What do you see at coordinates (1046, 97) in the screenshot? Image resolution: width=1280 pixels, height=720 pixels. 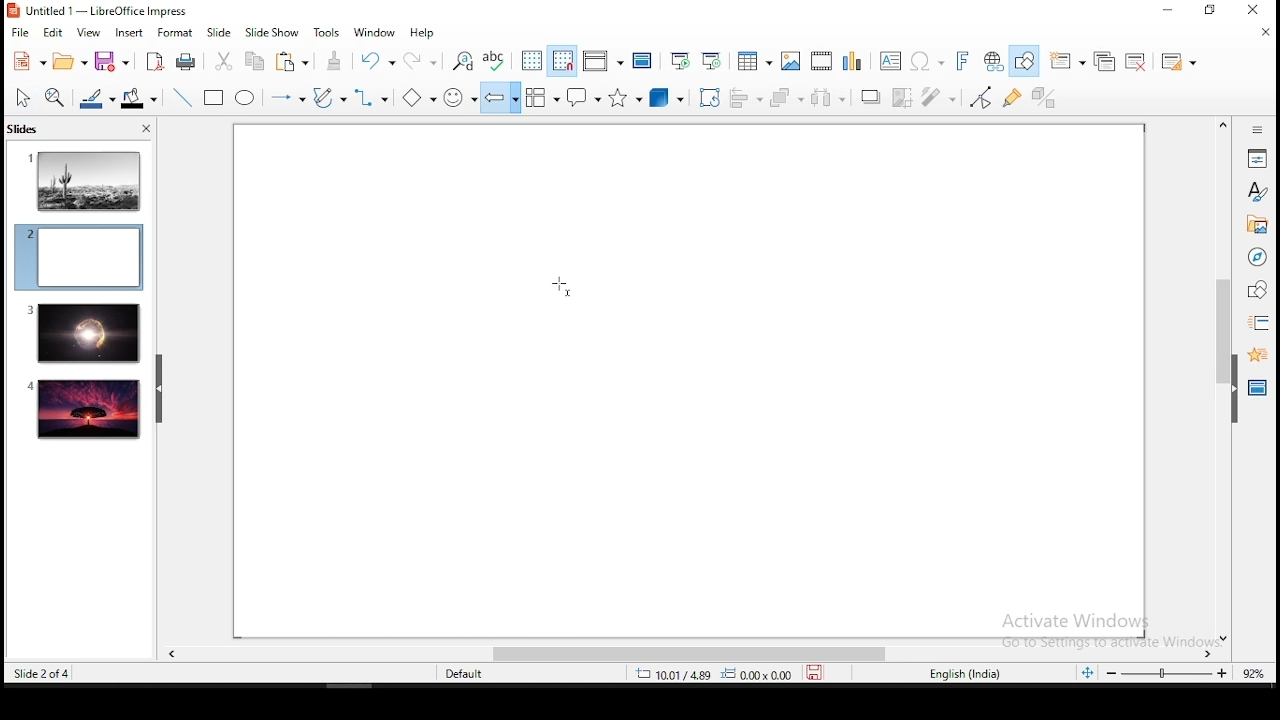 I see `toggle extrusiuon` at bounding box center [1046, 97].